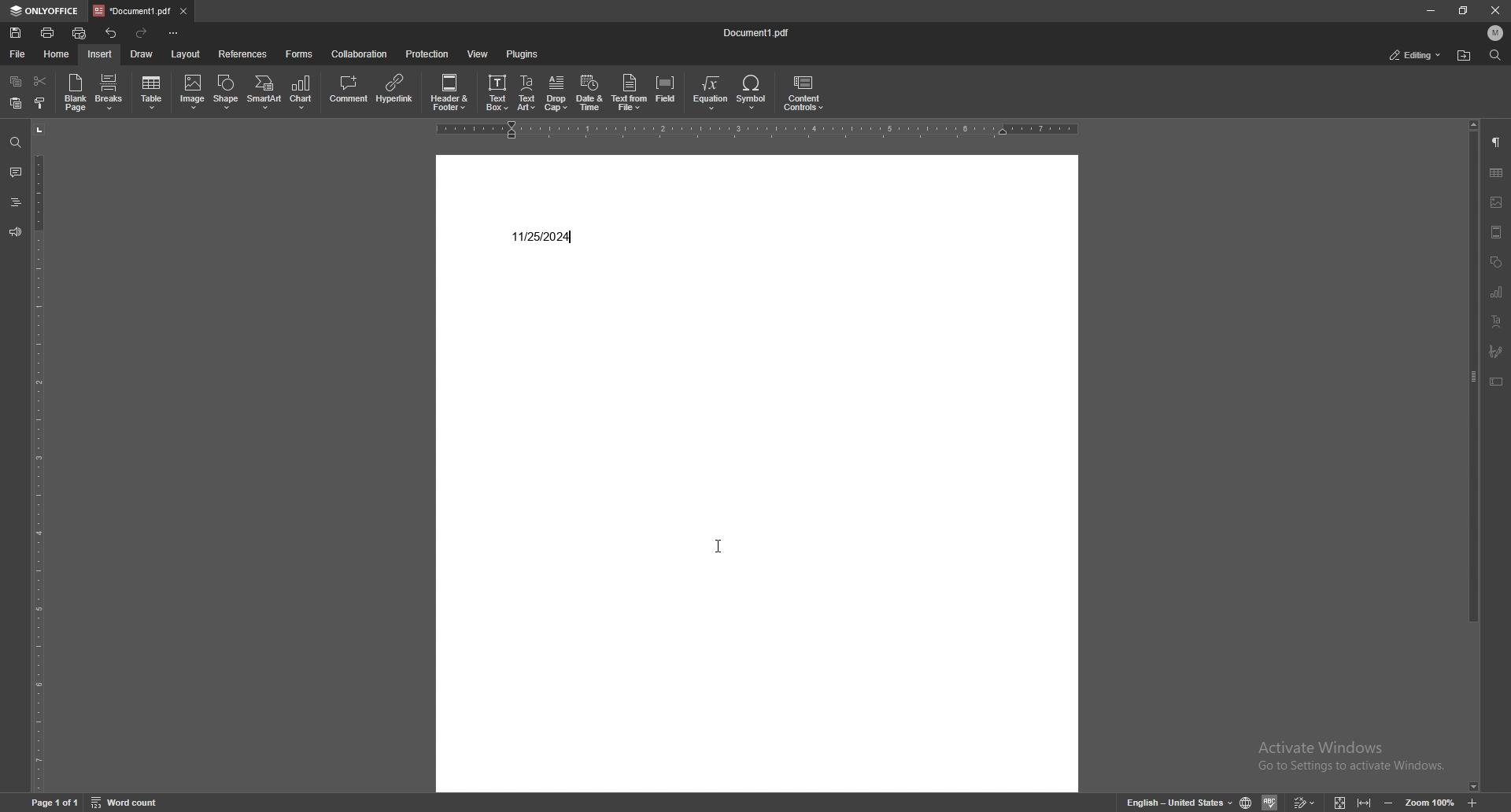  What do you see at coordinates (589, 93) in the screenshot?
I see `date and time` at bounding box center [589, 93].